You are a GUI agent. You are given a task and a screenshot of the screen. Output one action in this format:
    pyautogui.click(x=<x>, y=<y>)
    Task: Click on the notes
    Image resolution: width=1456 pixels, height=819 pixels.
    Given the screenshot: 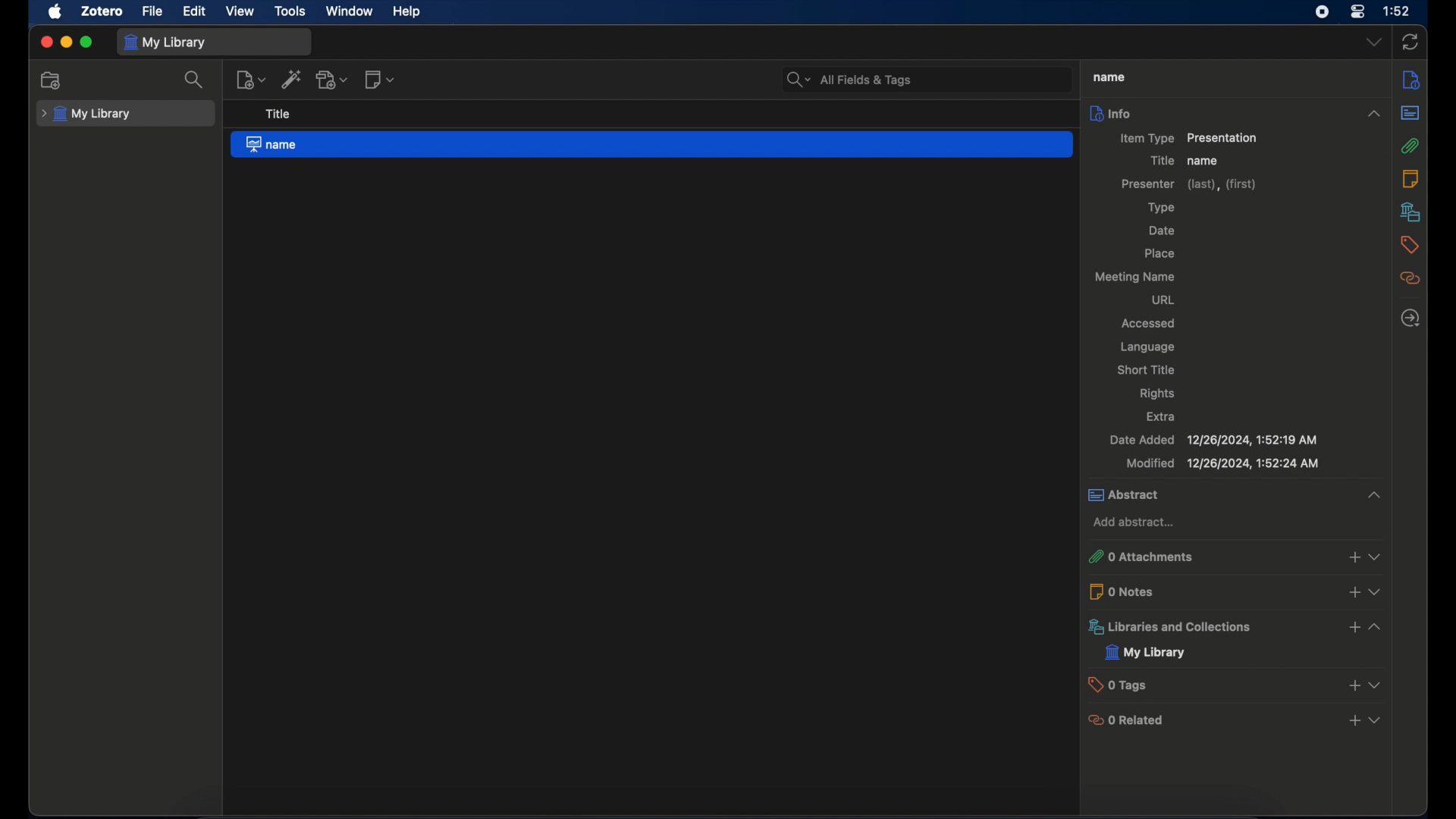 What is the action you would take?
    pyautogui.click(x=1410, y=179)
    